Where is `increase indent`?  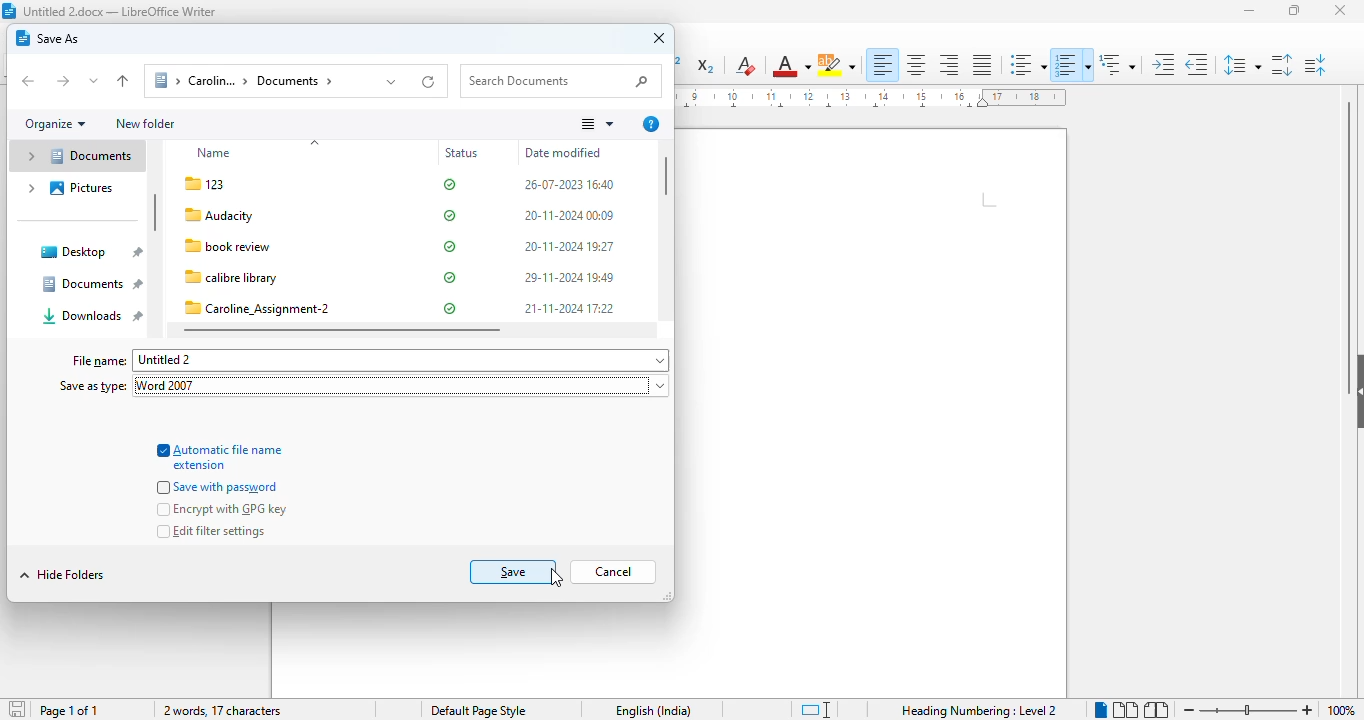 increase indent is located at coordinates (1164, 64).